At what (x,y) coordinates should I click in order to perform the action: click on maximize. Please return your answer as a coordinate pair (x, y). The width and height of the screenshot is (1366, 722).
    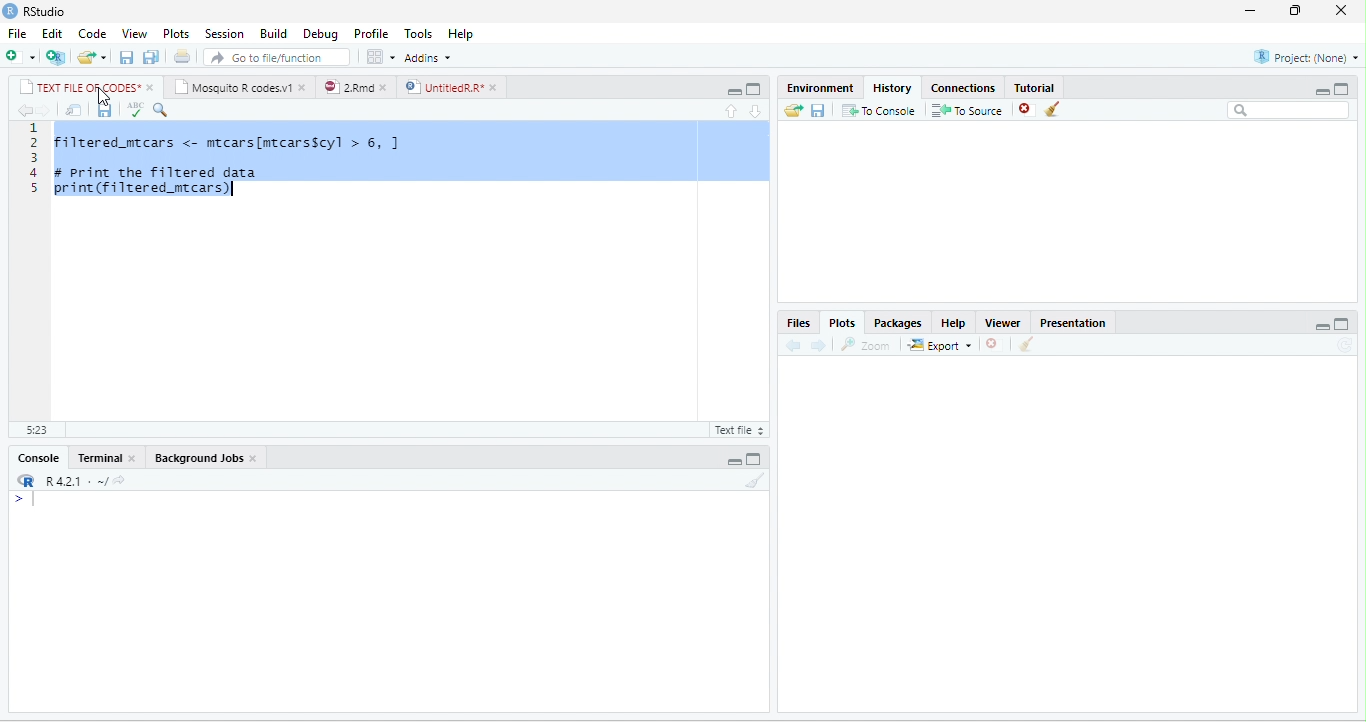
    Looking at the image, I should click on (753, 460).